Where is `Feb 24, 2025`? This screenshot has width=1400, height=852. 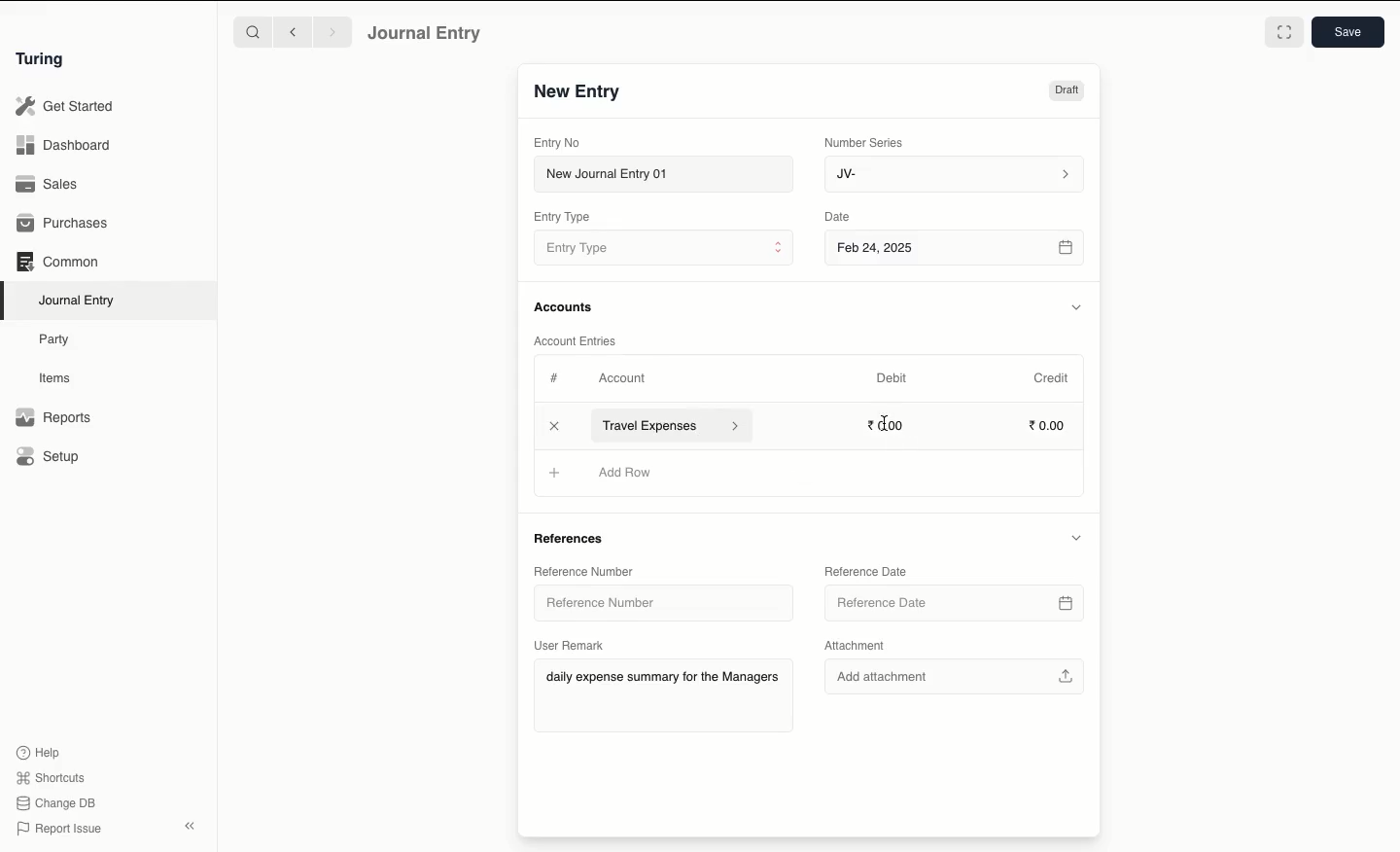 Feb 24, 2025 is located at coordinates (957, 250).